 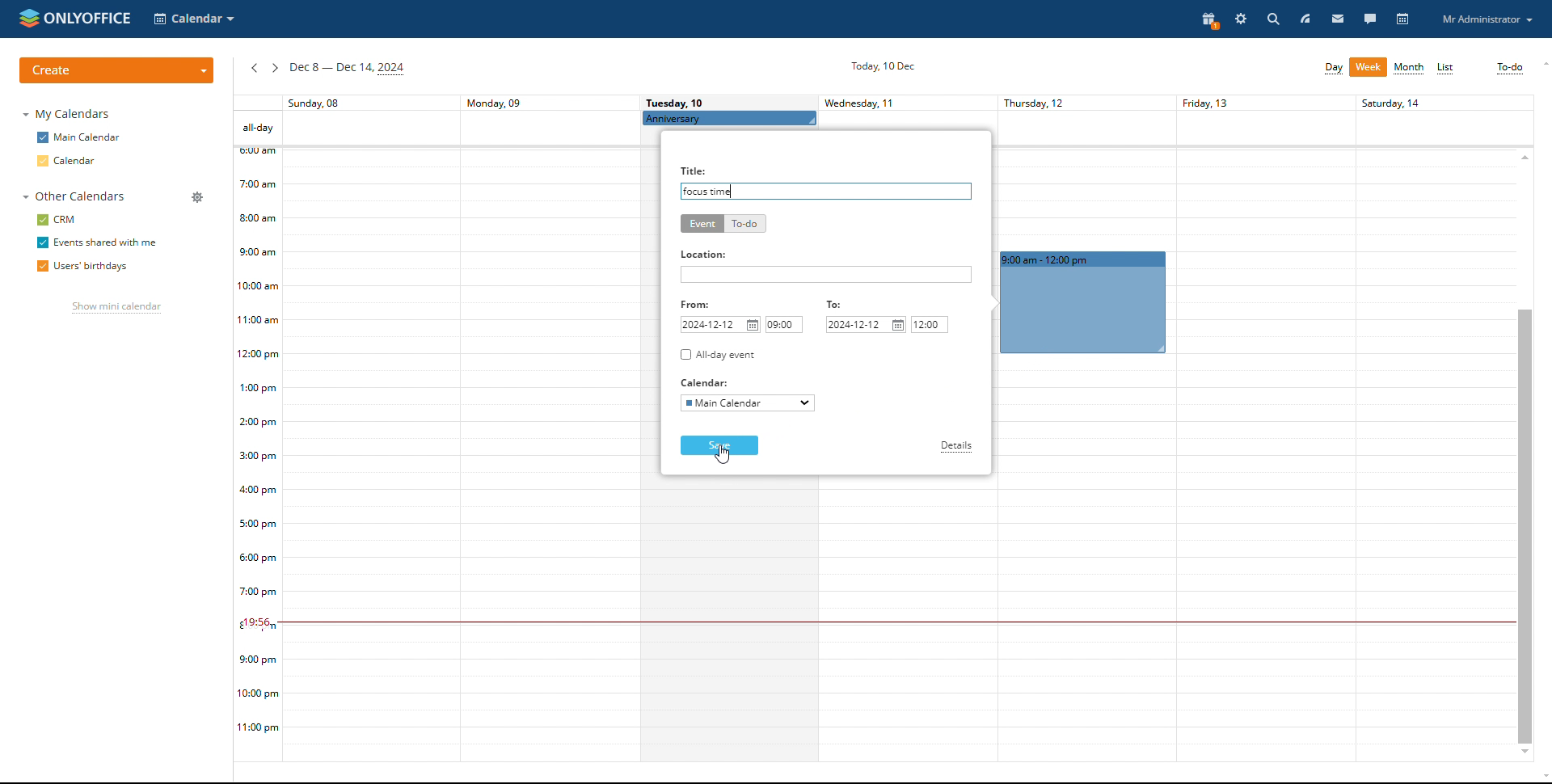 What do you see at coordinates (1525, 753) in the screenshot?
I see `scroll down` at bounding box center [1525, 753].